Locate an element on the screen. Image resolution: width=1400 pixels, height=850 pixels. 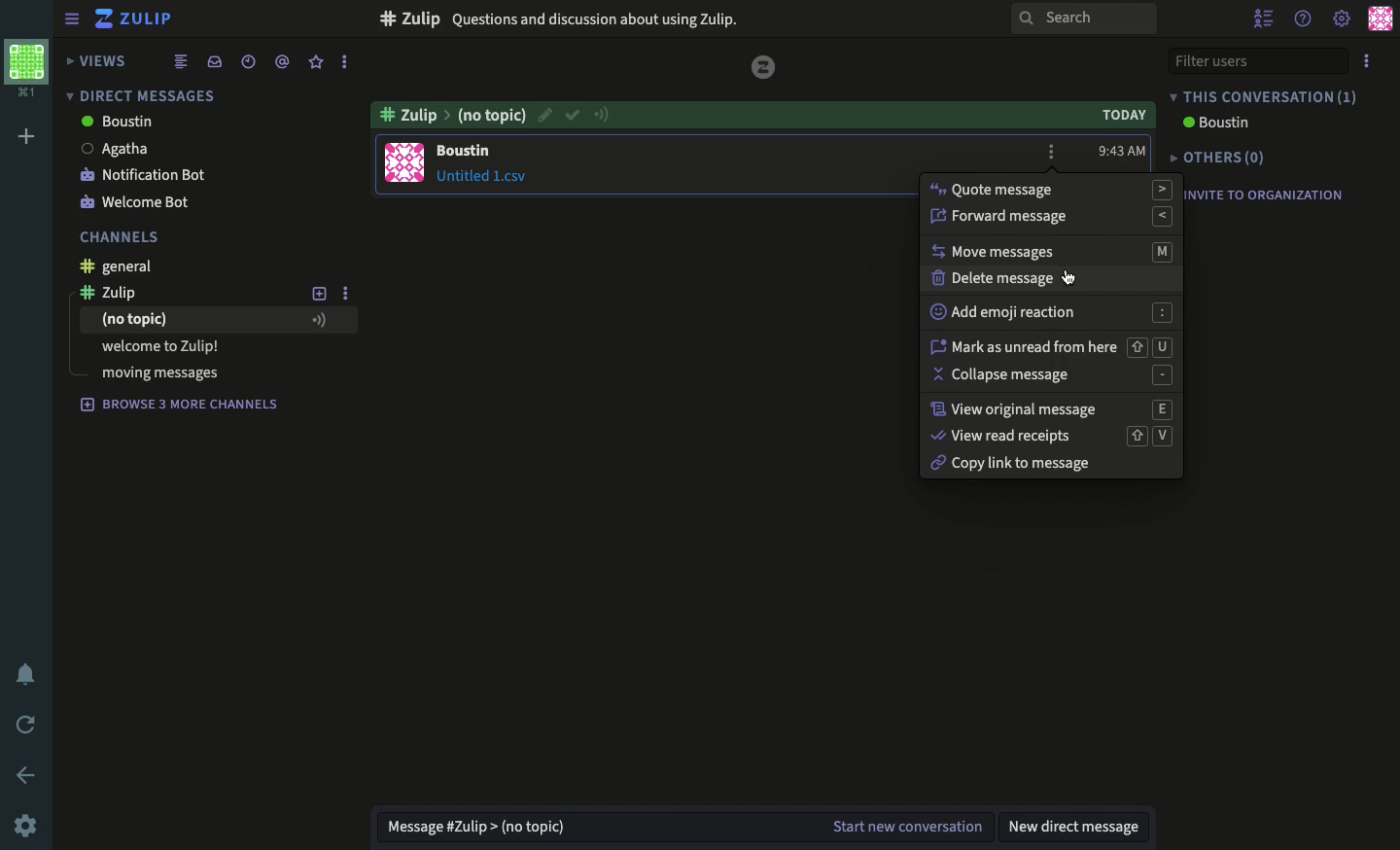
welcome to zulip is located at coordinates (164, 345).